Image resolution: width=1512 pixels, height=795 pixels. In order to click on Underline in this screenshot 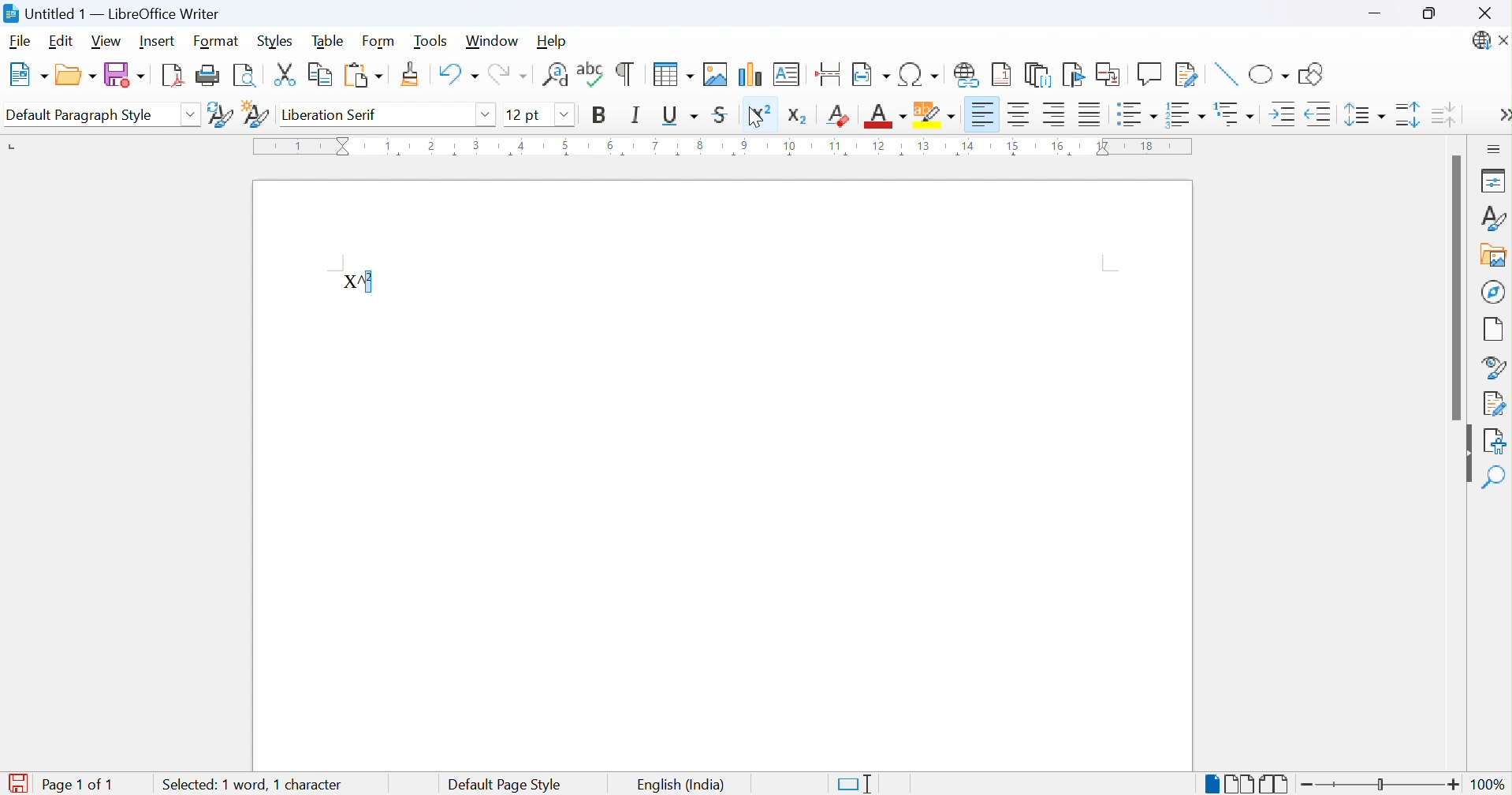, I will do `click(679, 117)`.